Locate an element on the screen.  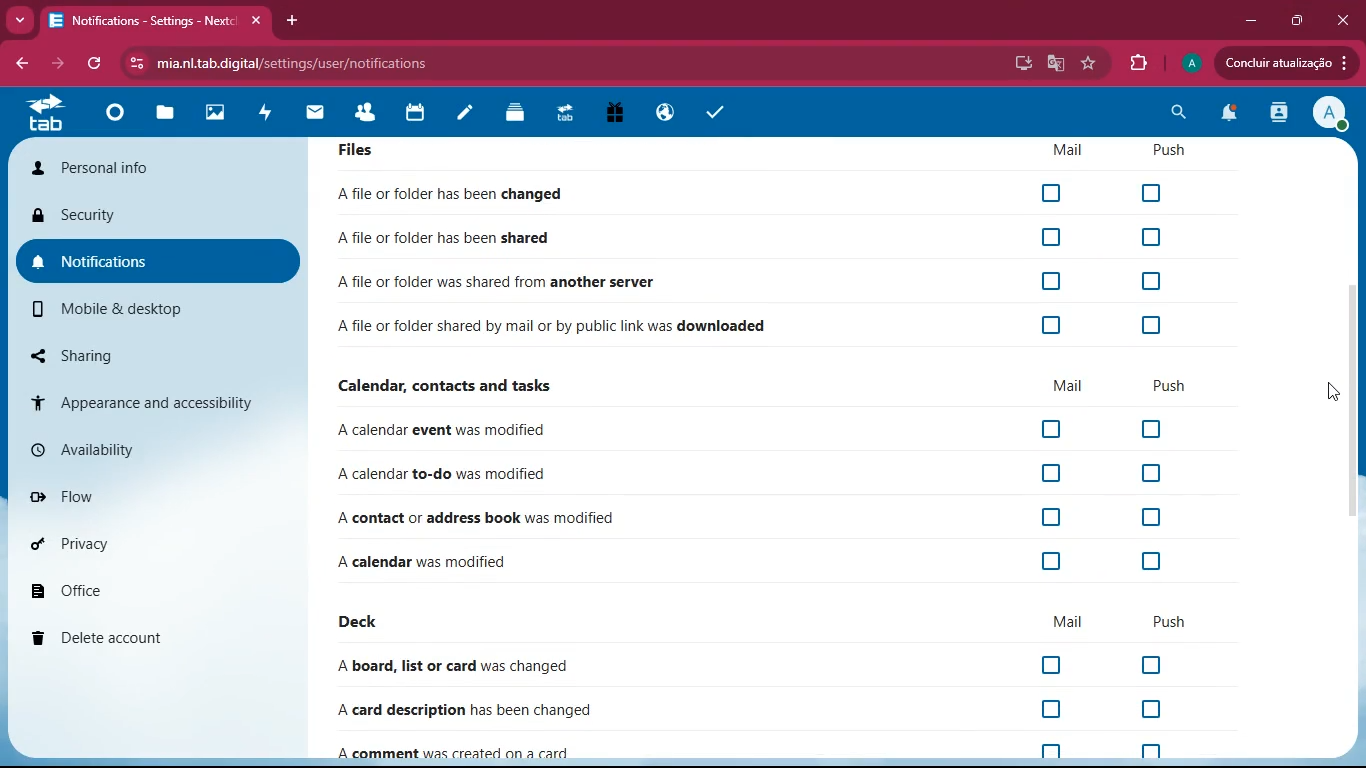
mobile is located at coordinates (142, 310).